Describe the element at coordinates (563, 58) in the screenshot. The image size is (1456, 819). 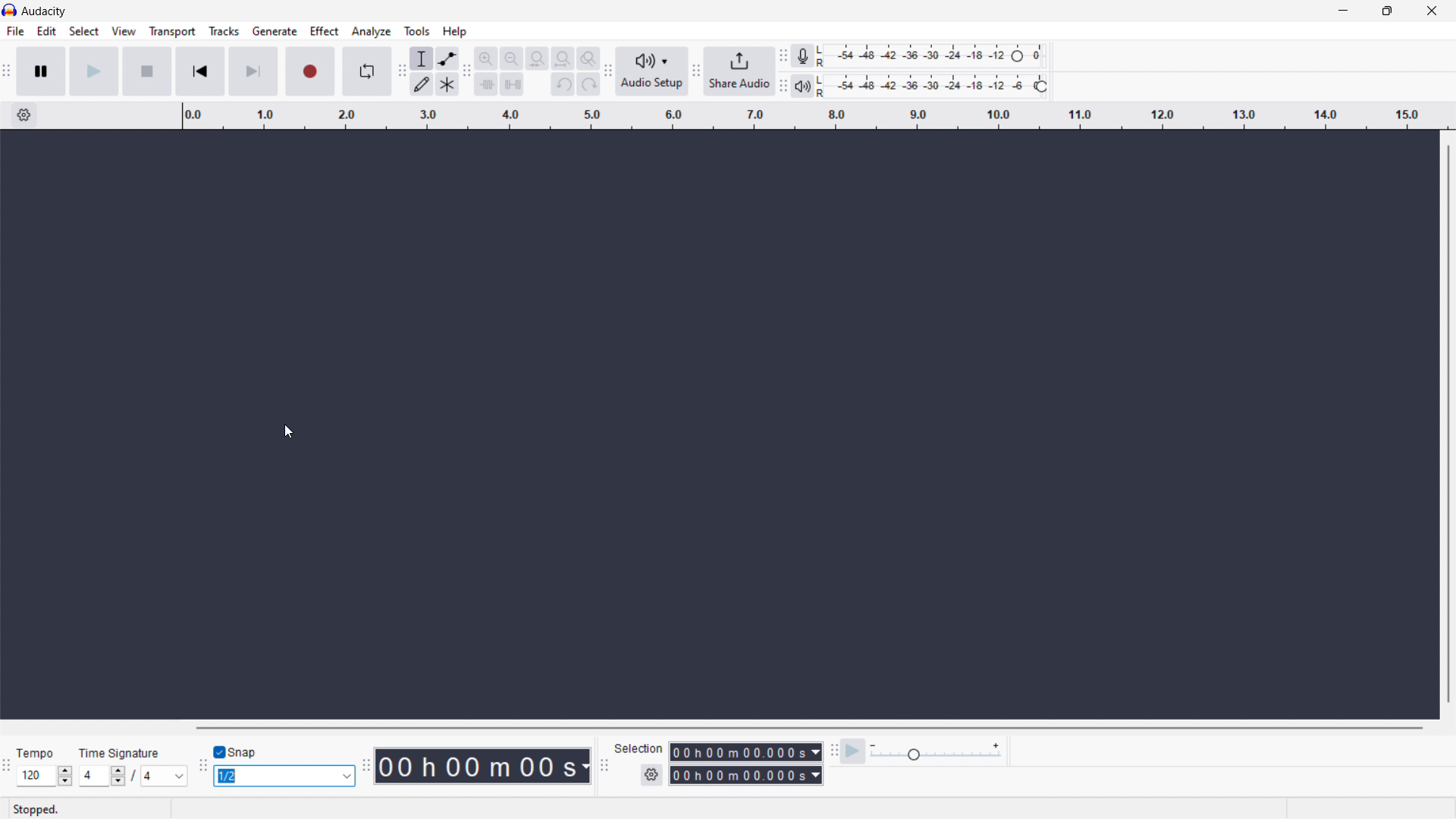
I see `fit project to width` at that location.